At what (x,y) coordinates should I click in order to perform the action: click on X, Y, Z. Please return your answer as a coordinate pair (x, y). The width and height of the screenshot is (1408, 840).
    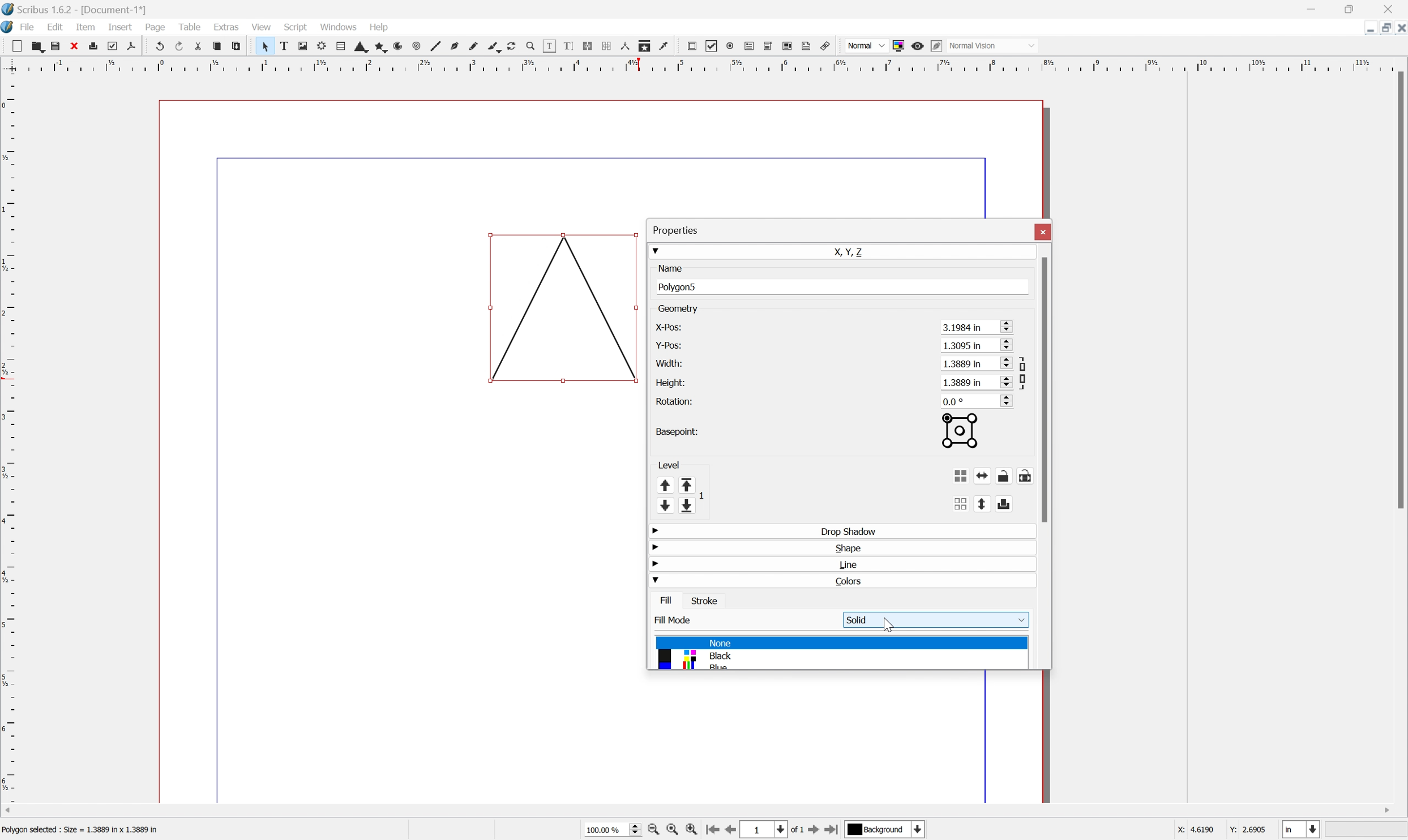
    Looking at the image, I should click on (859, 251).